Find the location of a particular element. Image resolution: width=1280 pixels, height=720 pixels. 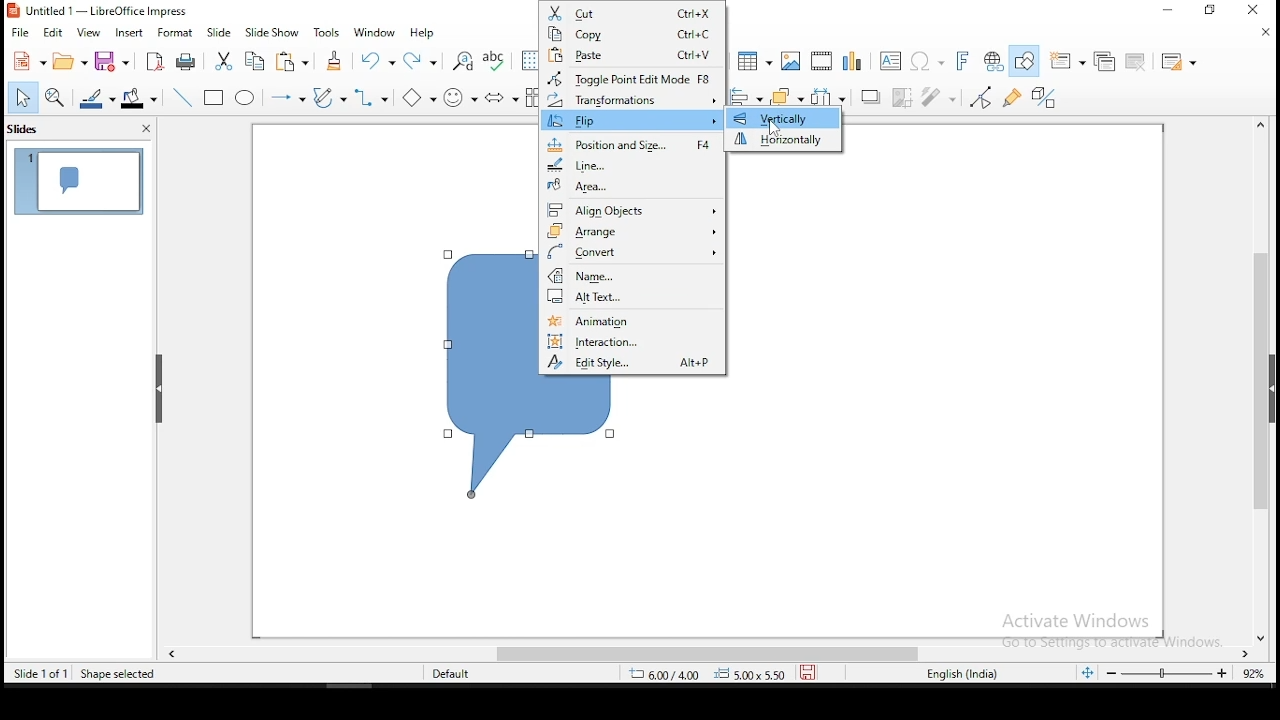

insert audio or video is located at coordinates (819, 61).